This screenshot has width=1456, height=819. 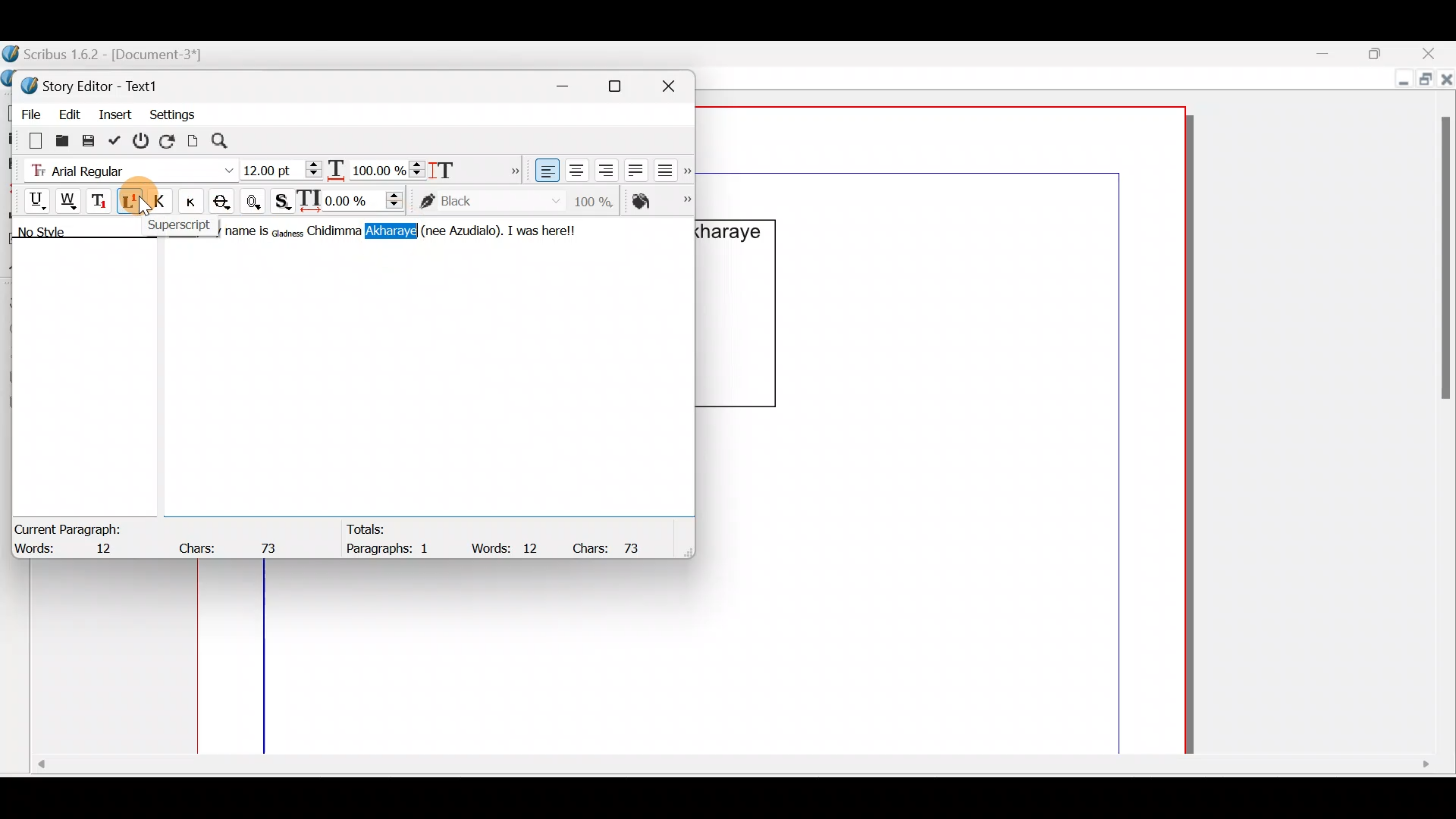 I want to click on Story Editor - Text1, so click(x=95, y=84).